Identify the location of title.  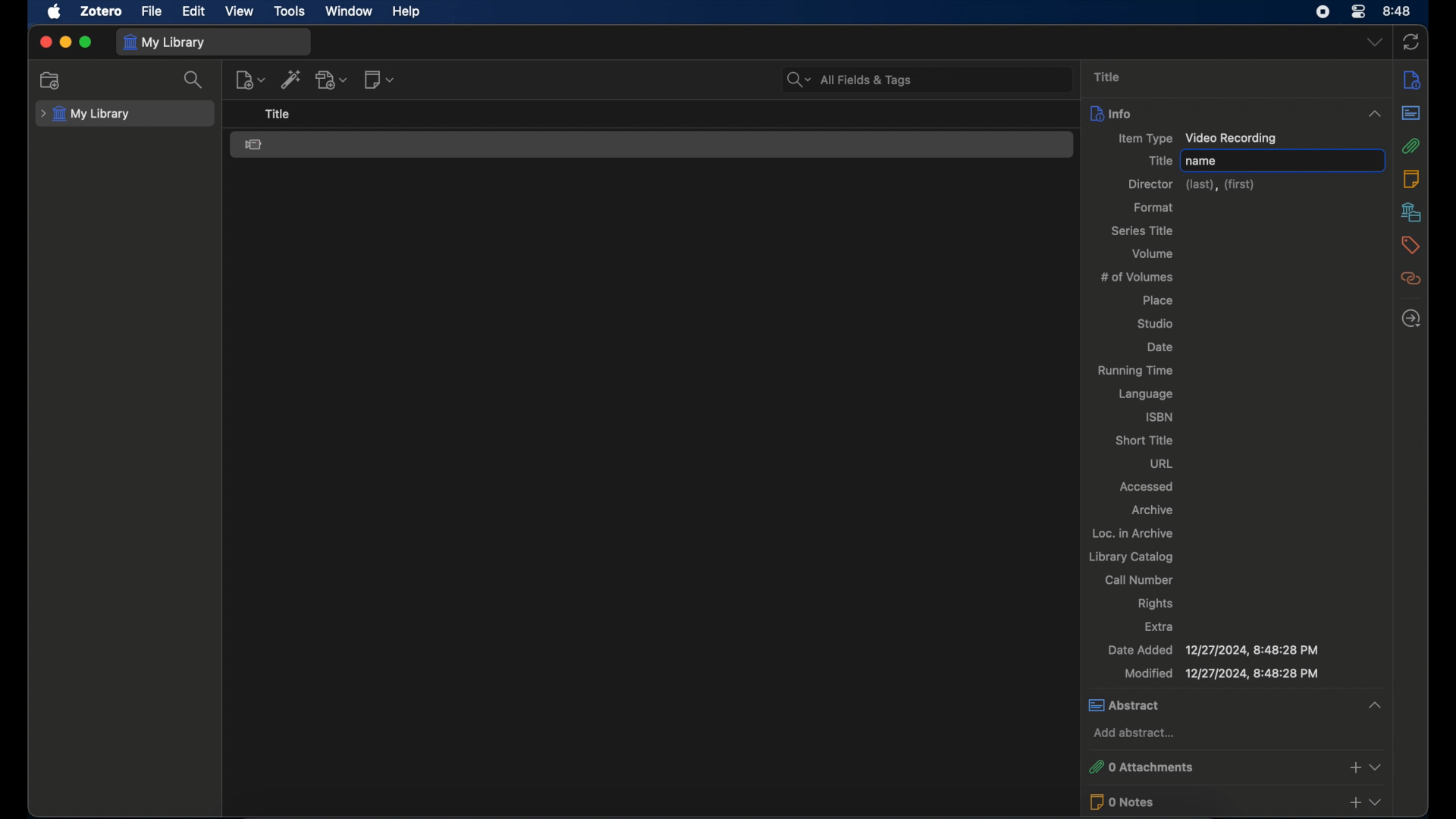
(1159, 161).